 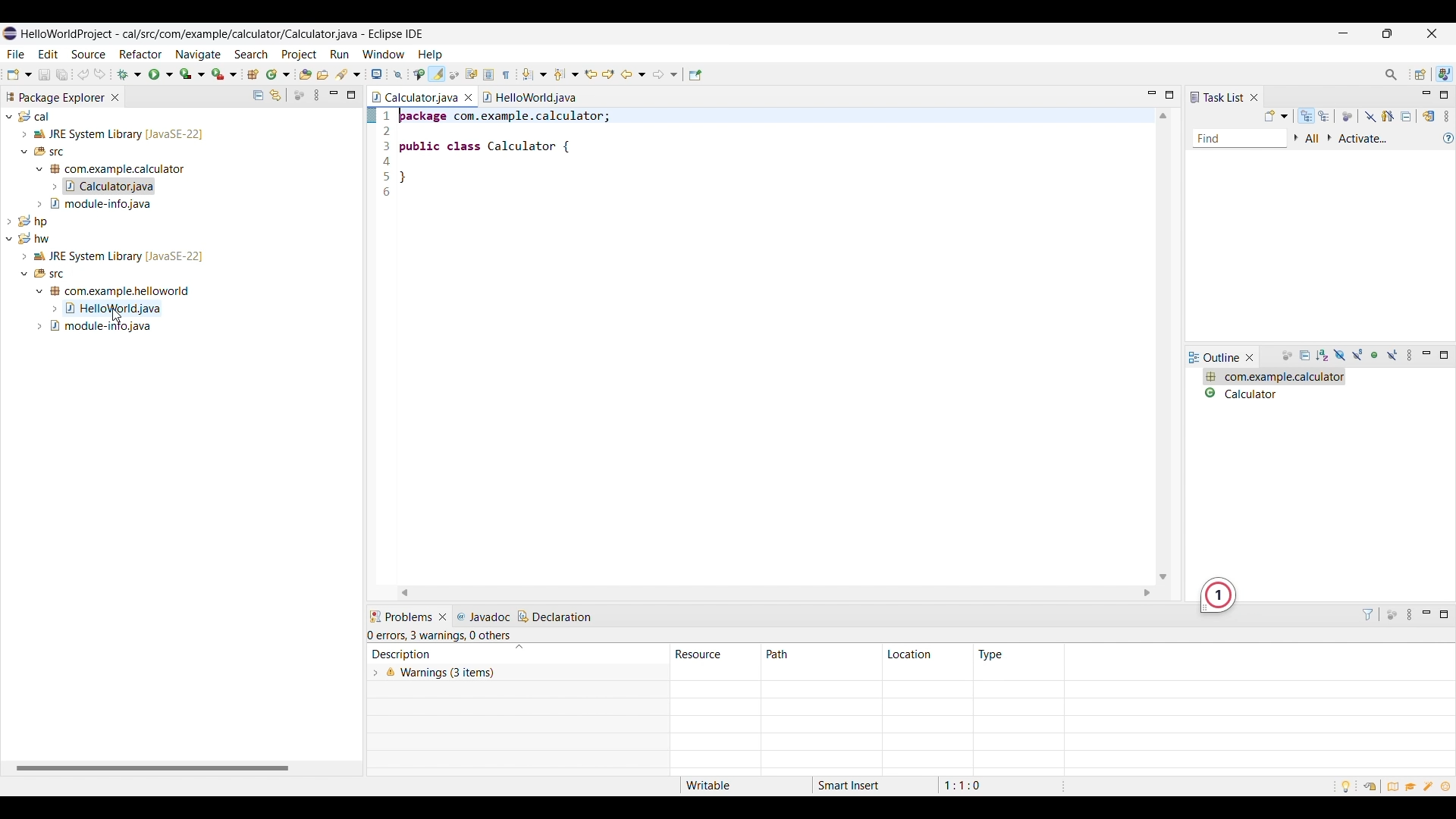 I want to click on Current workspace , so click(x=765, y=346).